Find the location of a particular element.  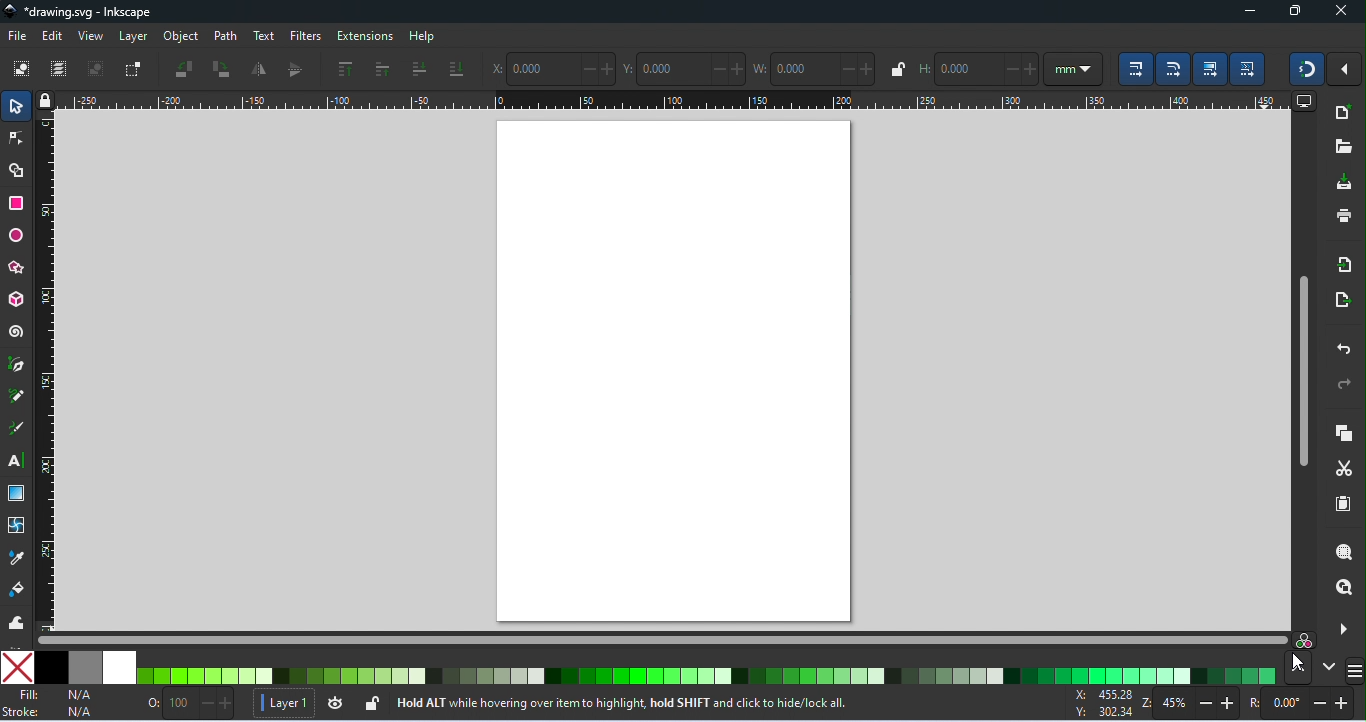

object is located at coordinates (181, 38).